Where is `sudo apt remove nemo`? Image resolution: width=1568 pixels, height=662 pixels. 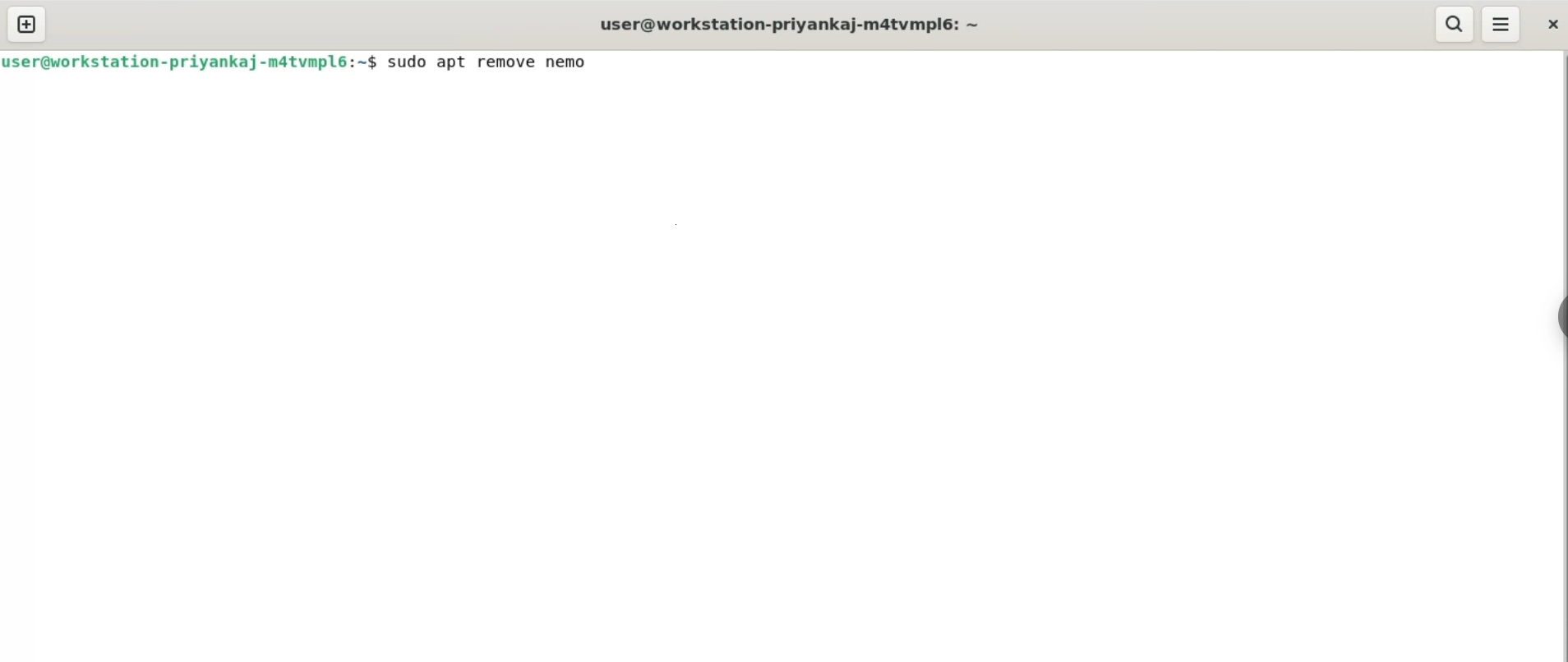
sudo apt remove nemo is located at coordinates (496, 62).